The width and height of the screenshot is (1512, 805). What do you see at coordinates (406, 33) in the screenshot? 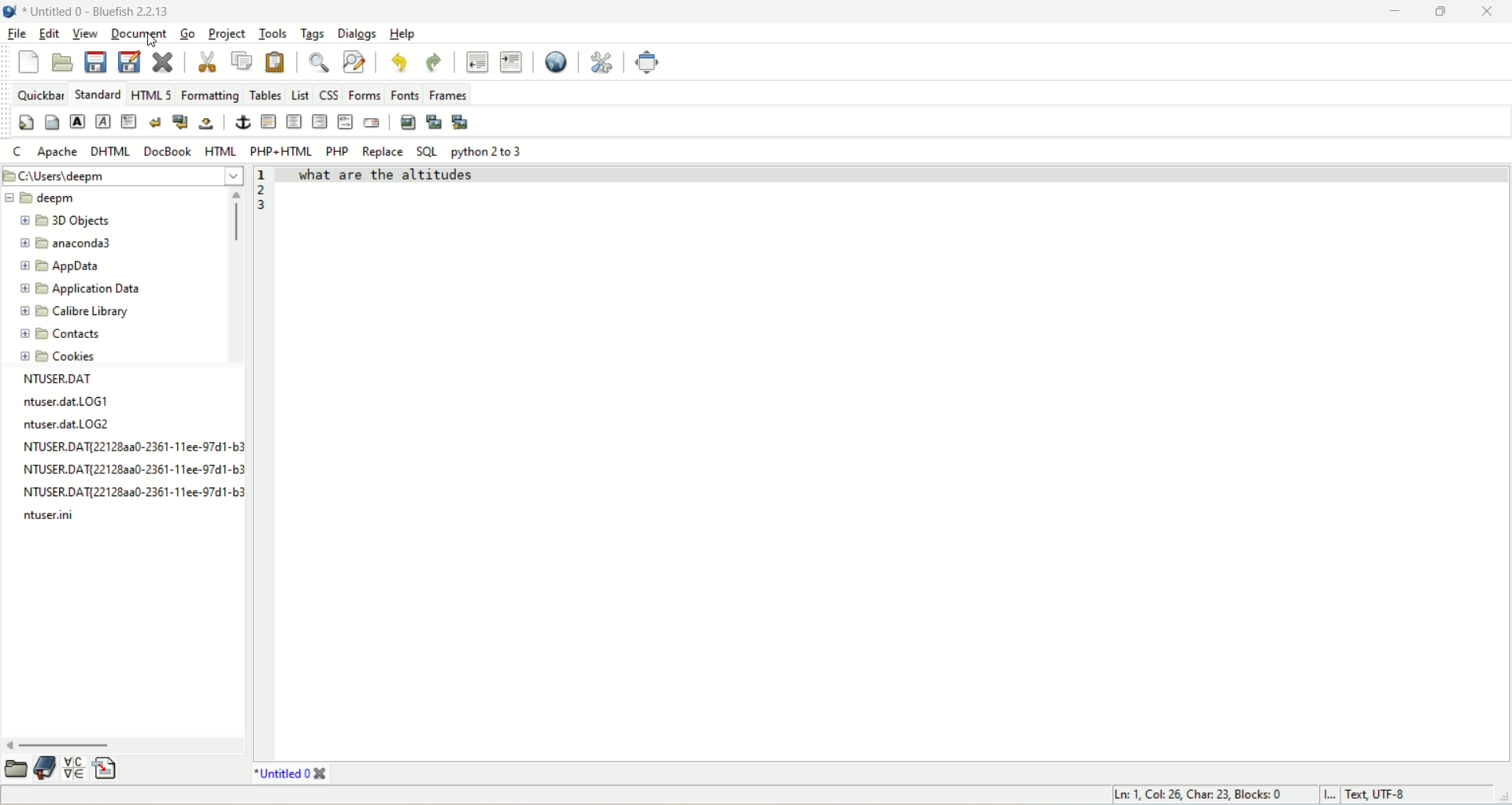
I see `help` at bounding box center [406, 33].